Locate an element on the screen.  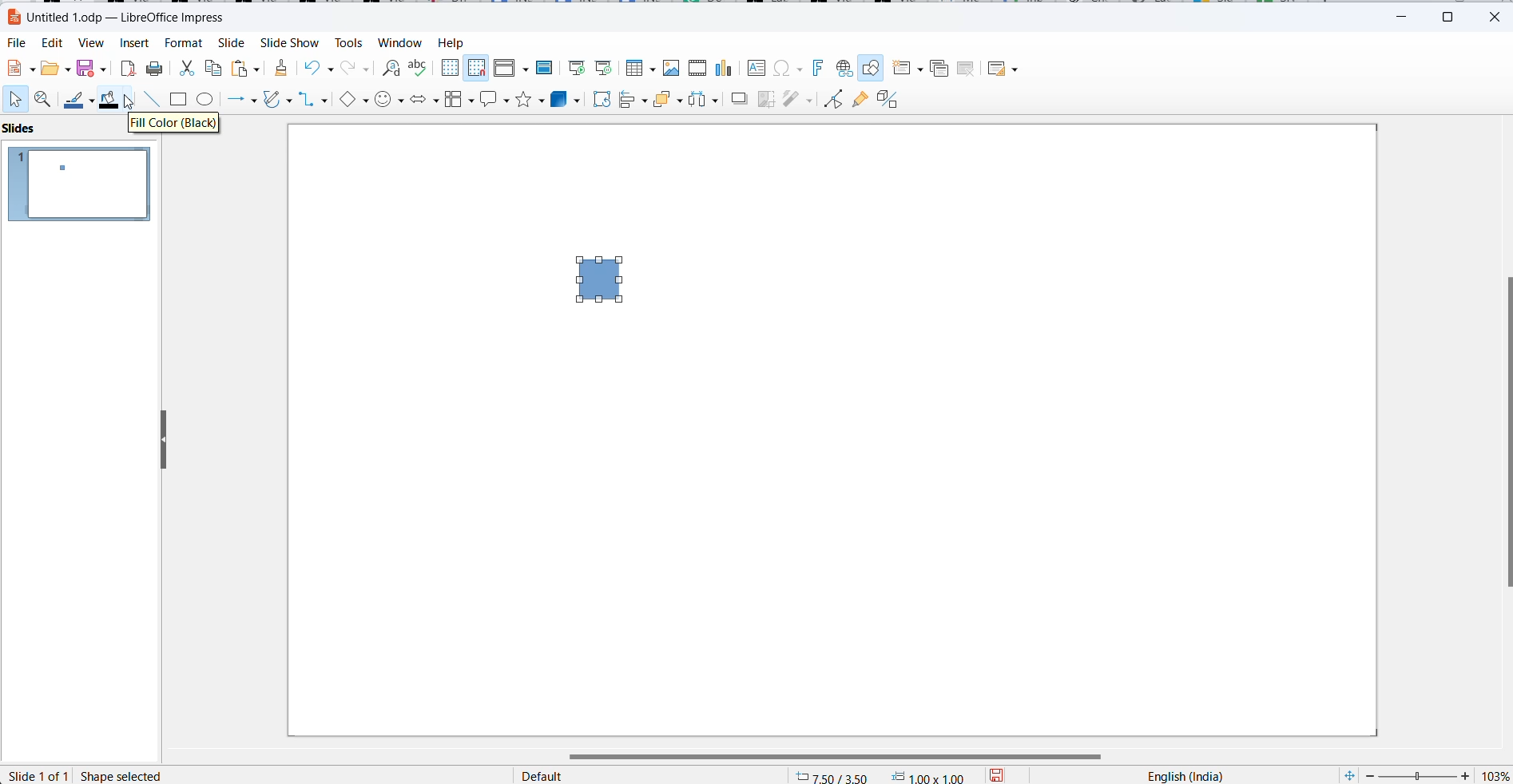
shape selected is located at coordinates (121, 775).